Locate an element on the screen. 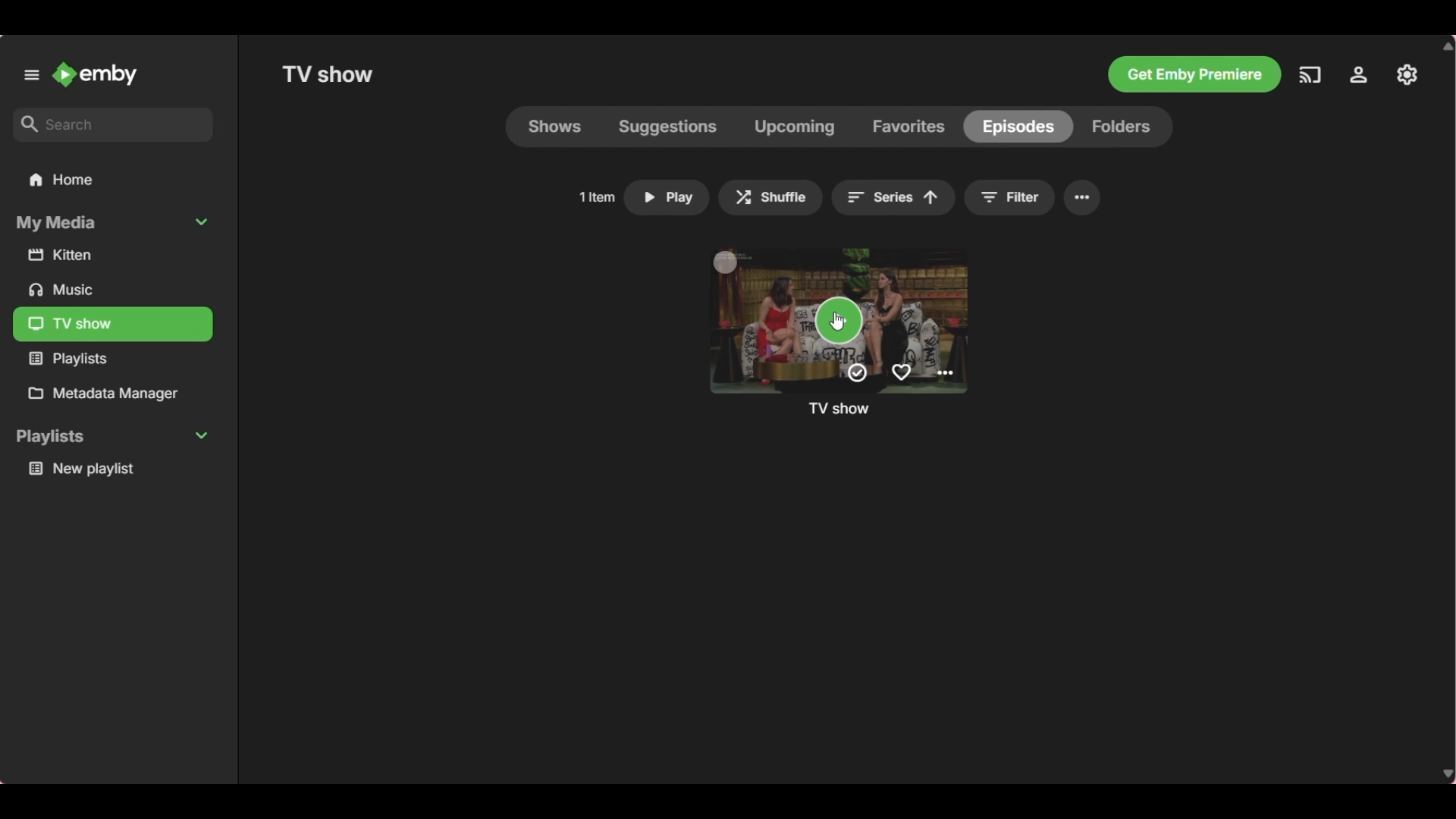 Image resolution: width=1456 pixels, height=819 pixels. Collapse Playlists is located at coordinates (112, 436).